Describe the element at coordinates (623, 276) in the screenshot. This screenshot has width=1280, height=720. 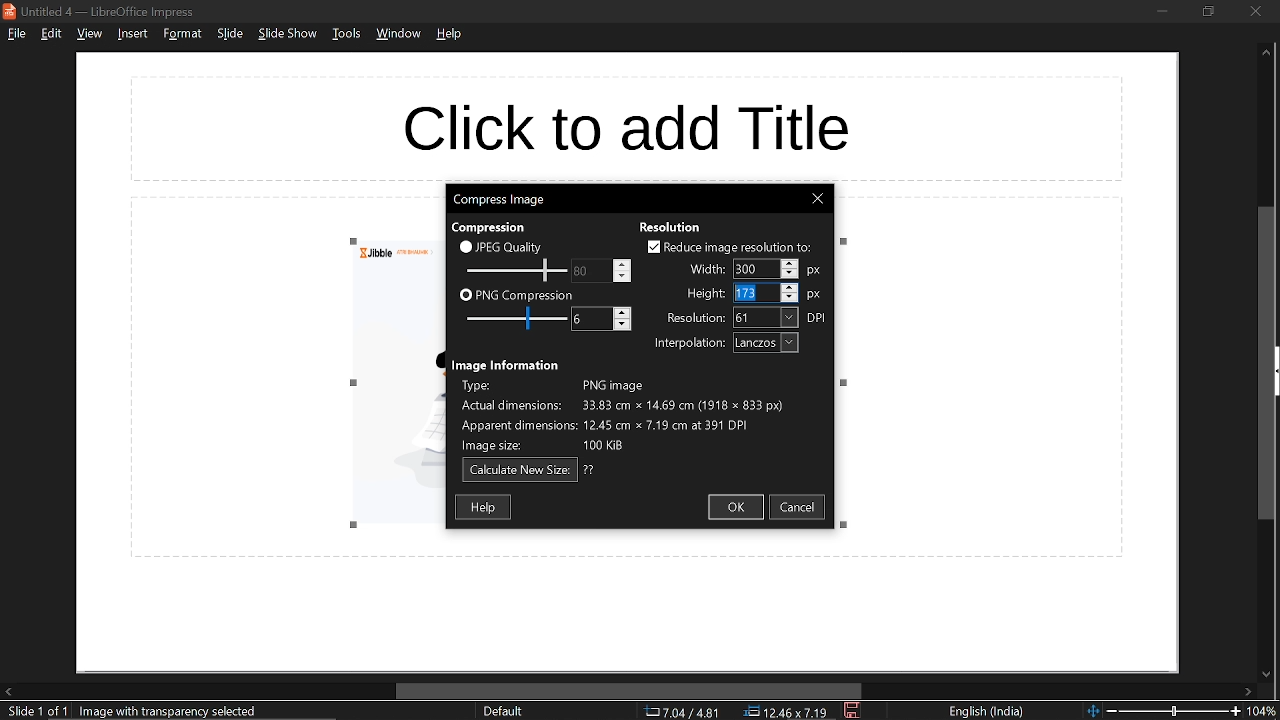
I see `Decrease ` at that location.